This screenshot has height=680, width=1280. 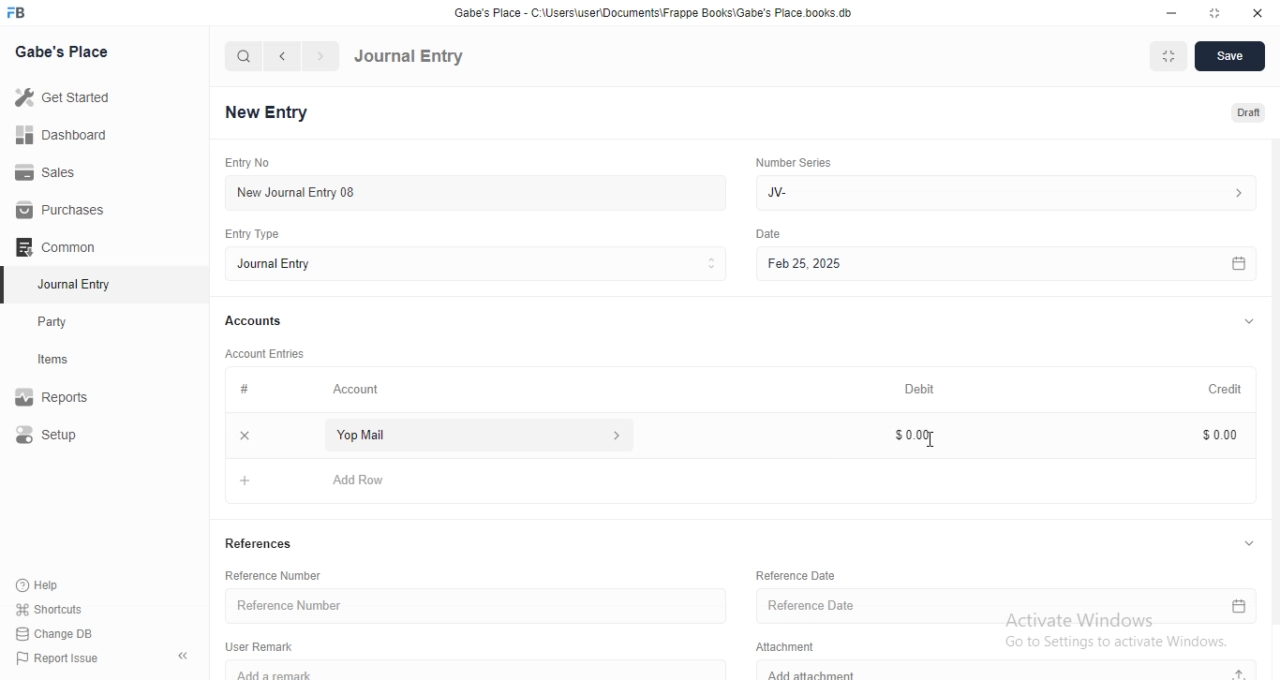 What do you see at coordinates (1238, 111) in the screenshot?
I see `Draft` at bounding box center [1238, 111].